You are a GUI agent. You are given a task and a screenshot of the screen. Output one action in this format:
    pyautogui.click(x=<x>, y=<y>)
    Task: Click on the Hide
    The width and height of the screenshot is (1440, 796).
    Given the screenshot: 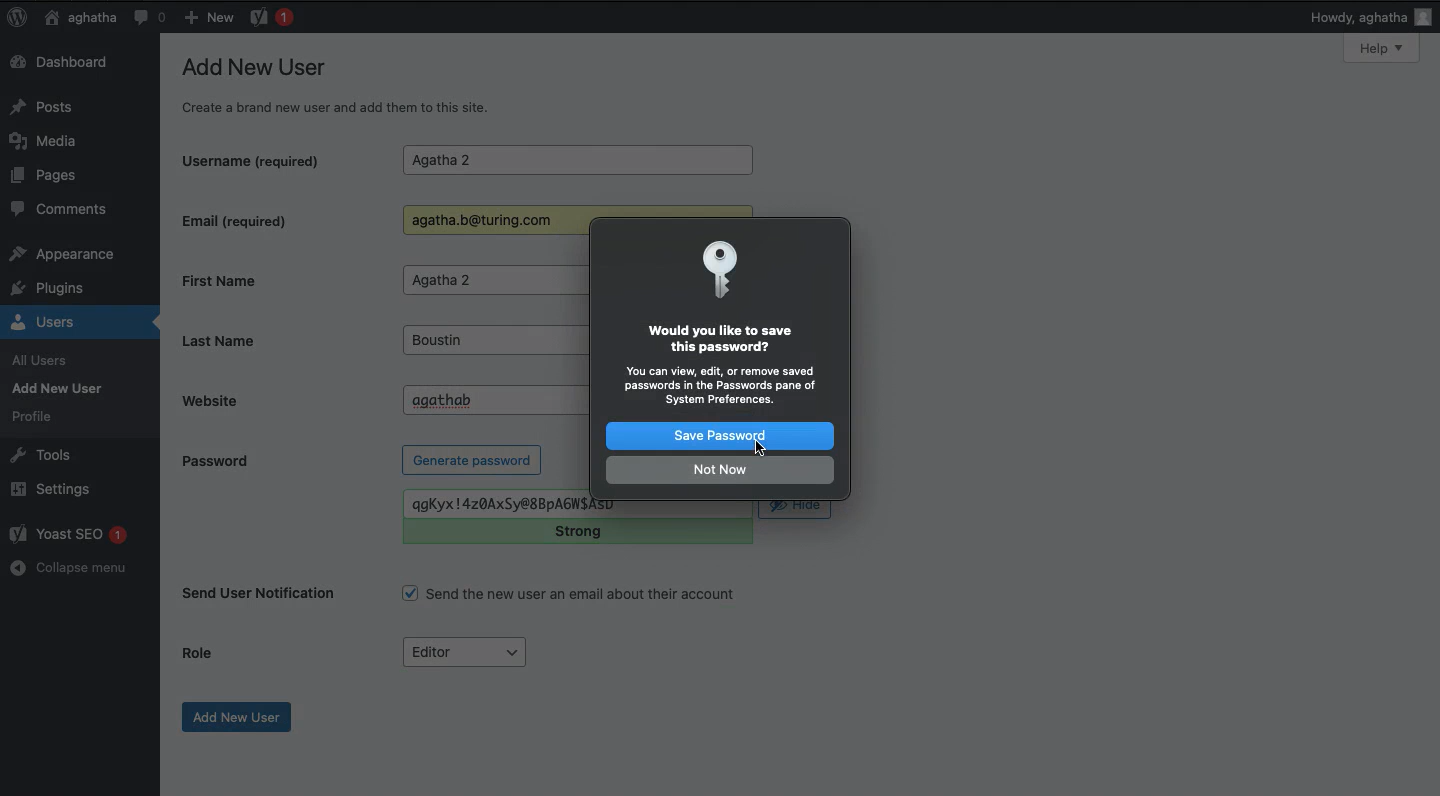 What is the action you would take?
    pyautogui.click(x=796, y=510)
    